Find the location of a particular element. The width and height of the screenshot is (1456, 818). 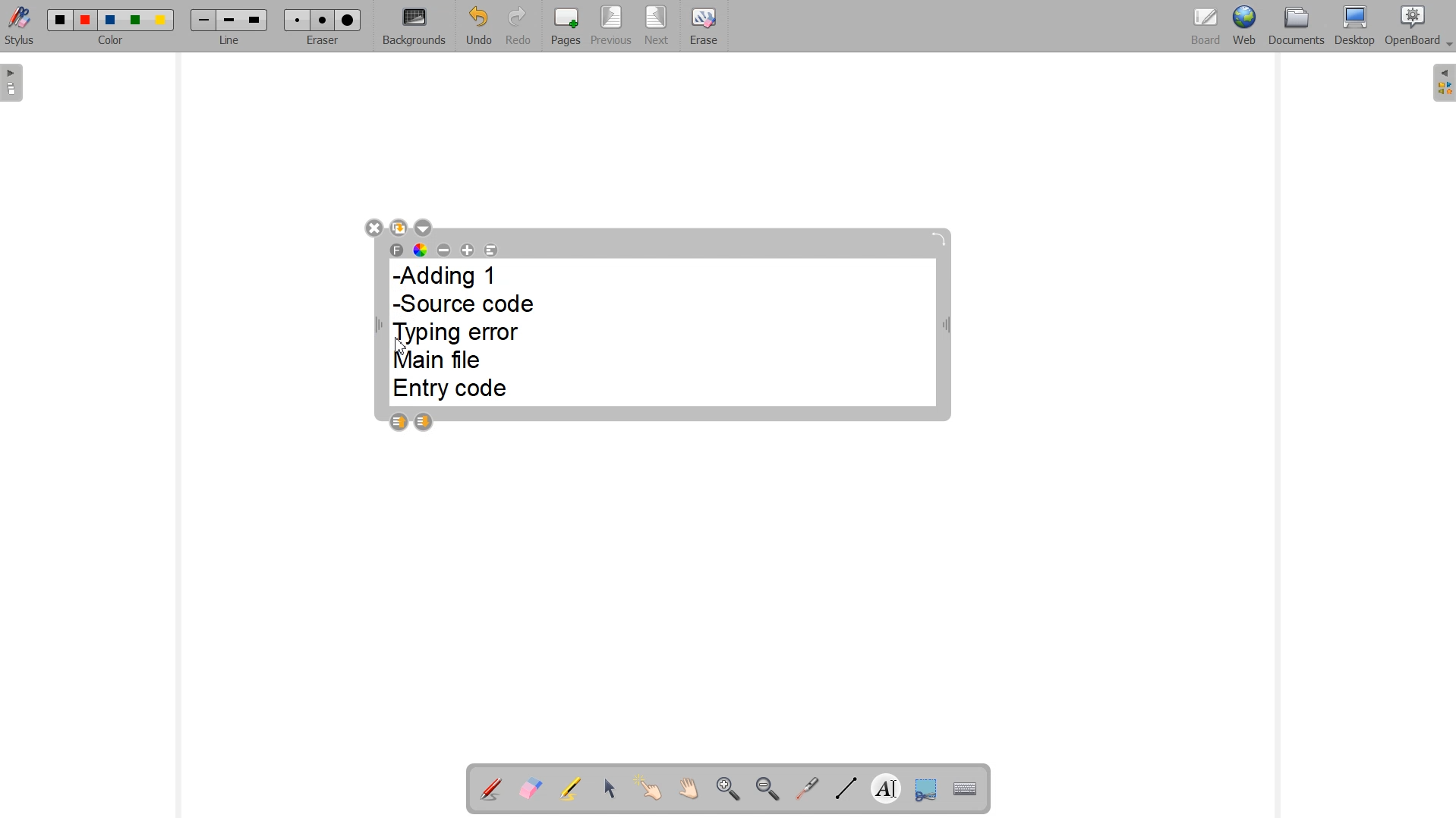

Eraser is located at coordinates (321, 41).